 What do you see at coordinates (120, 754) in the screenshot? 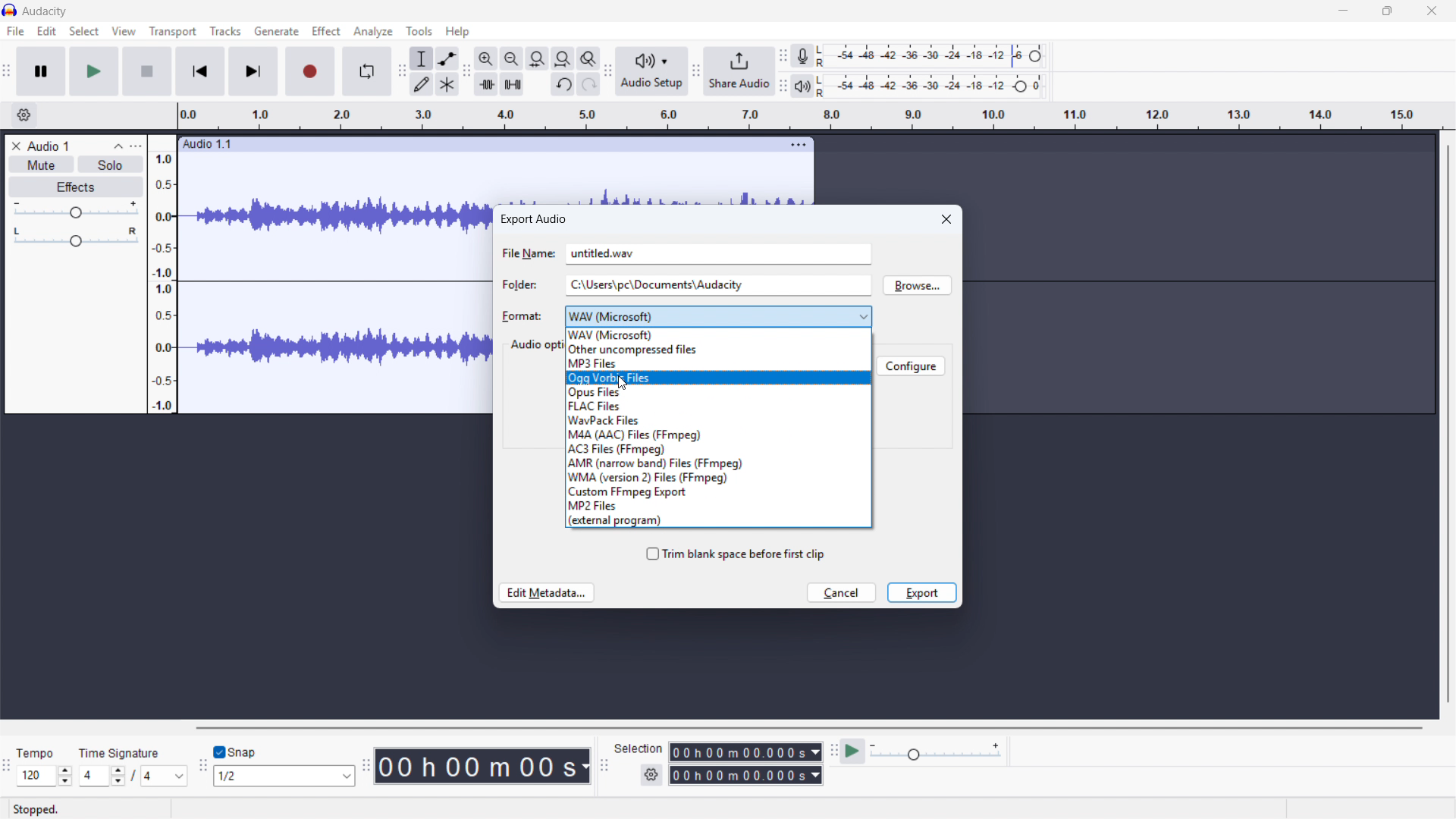
I see `time signature` at bounding box center [120, 754].